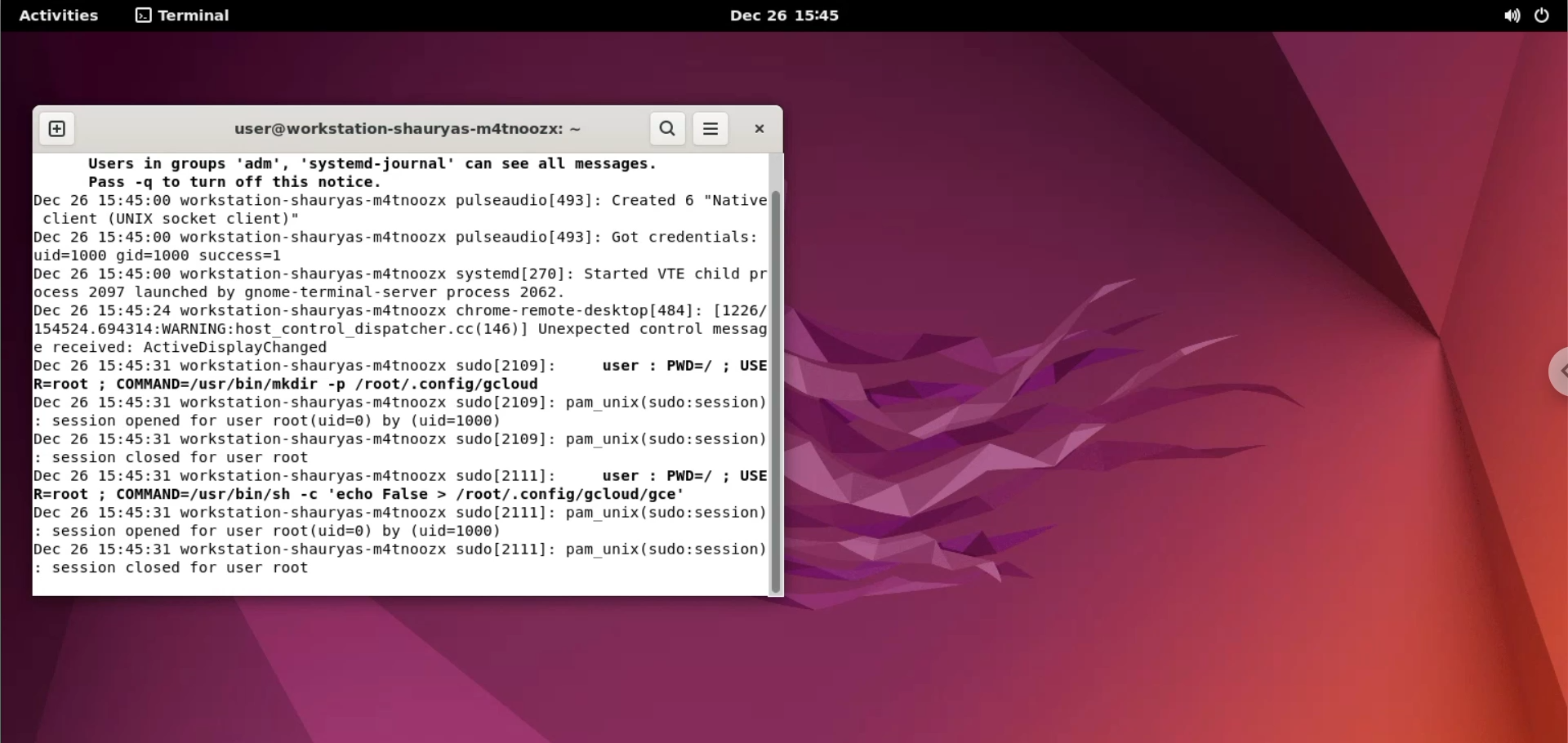 The width and height of the screenshot is (1568, 743). I want to click on power options, so click(1545, 16).